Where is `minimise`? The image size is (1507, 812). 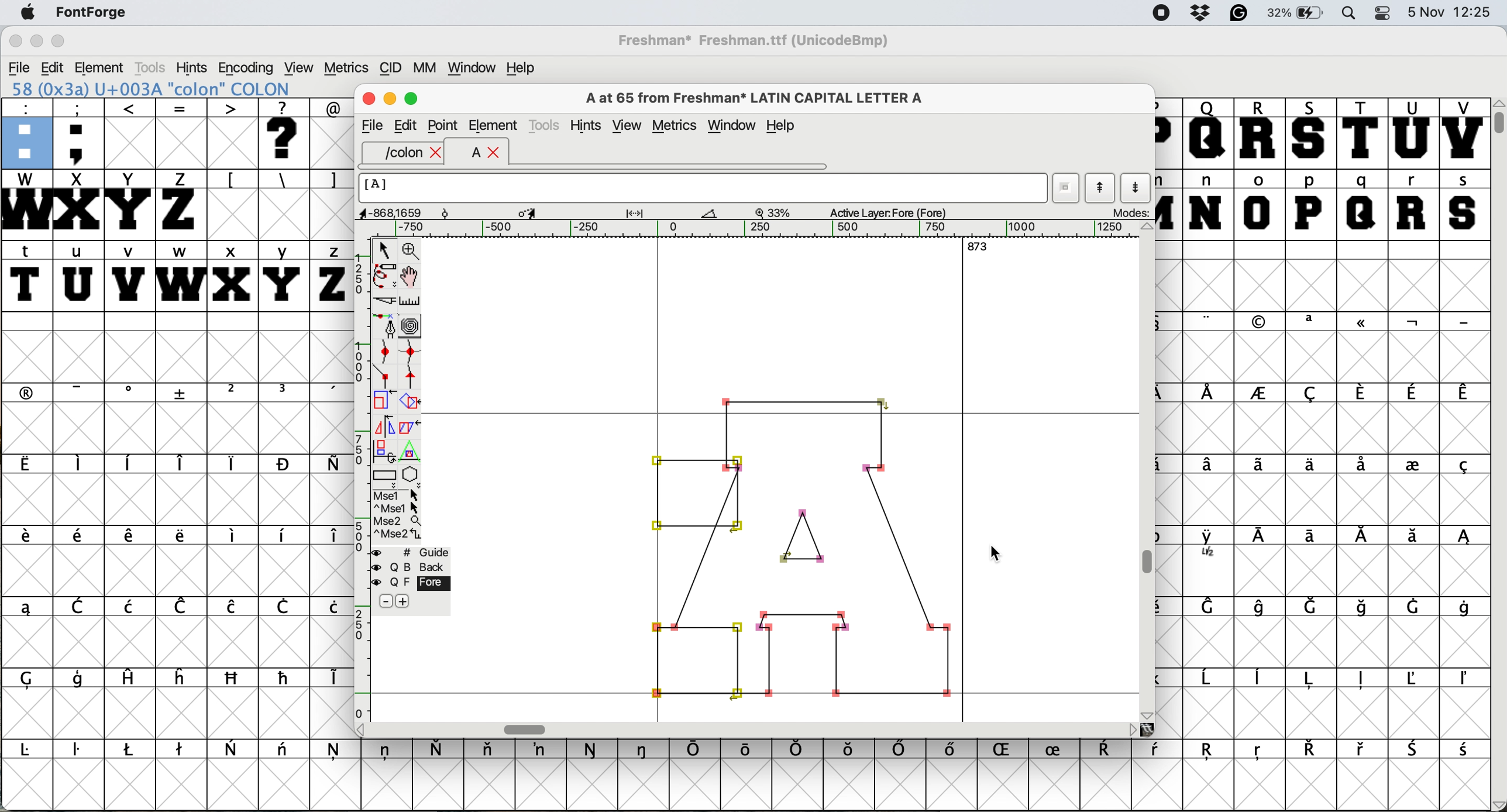
minimise is located at coordinates (390, 99).